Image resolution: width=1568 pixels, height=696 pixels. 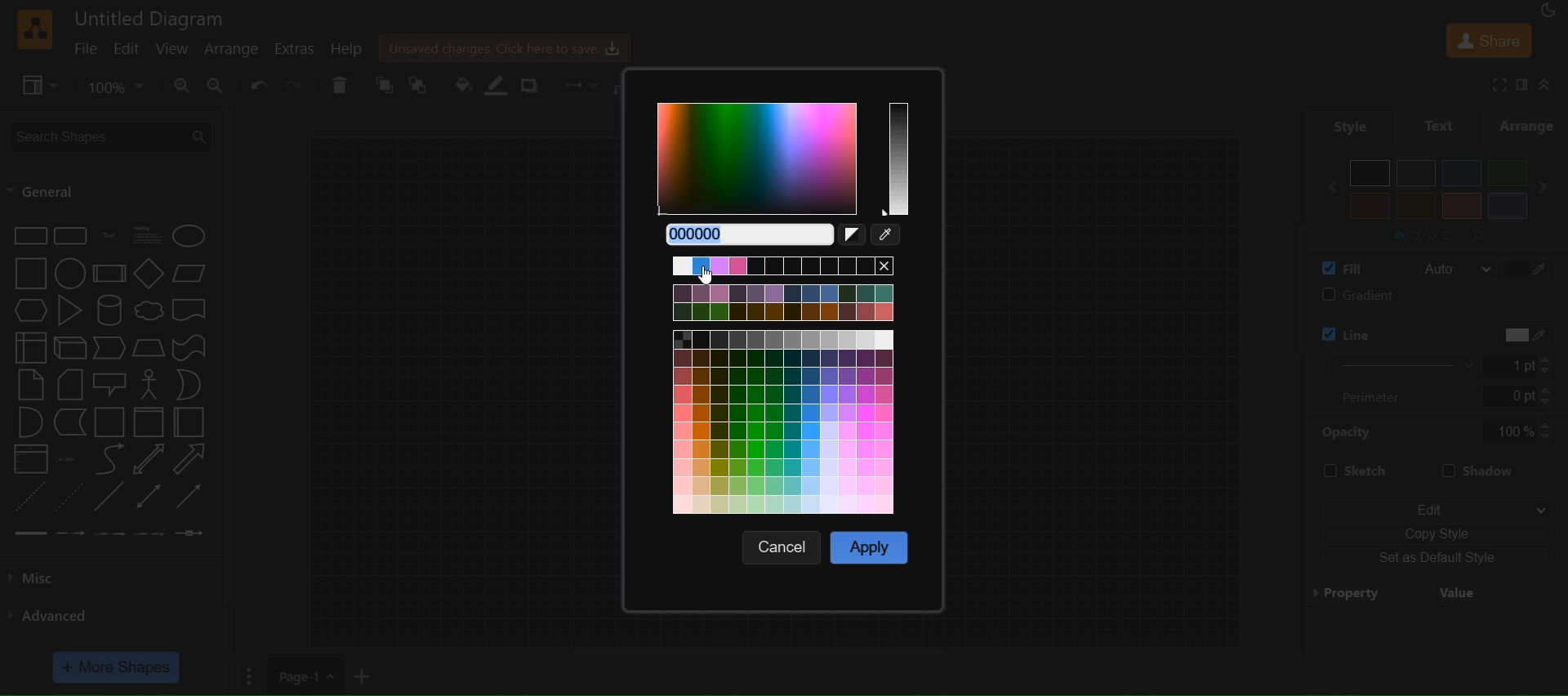 I want to click on extras, so click(x=299, y=48).